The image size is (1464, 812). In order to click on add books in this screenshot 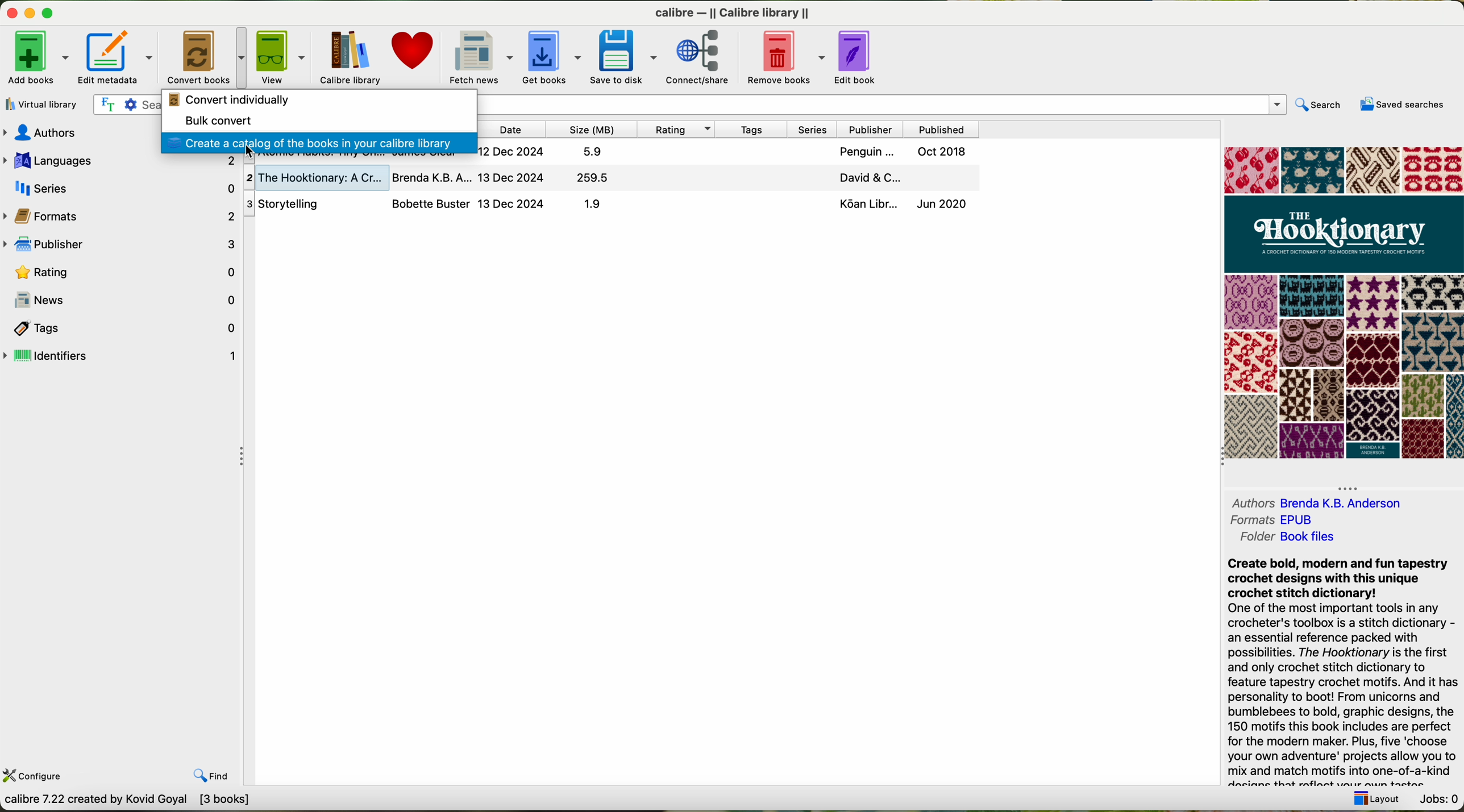, I will do `click(38, 58)`.